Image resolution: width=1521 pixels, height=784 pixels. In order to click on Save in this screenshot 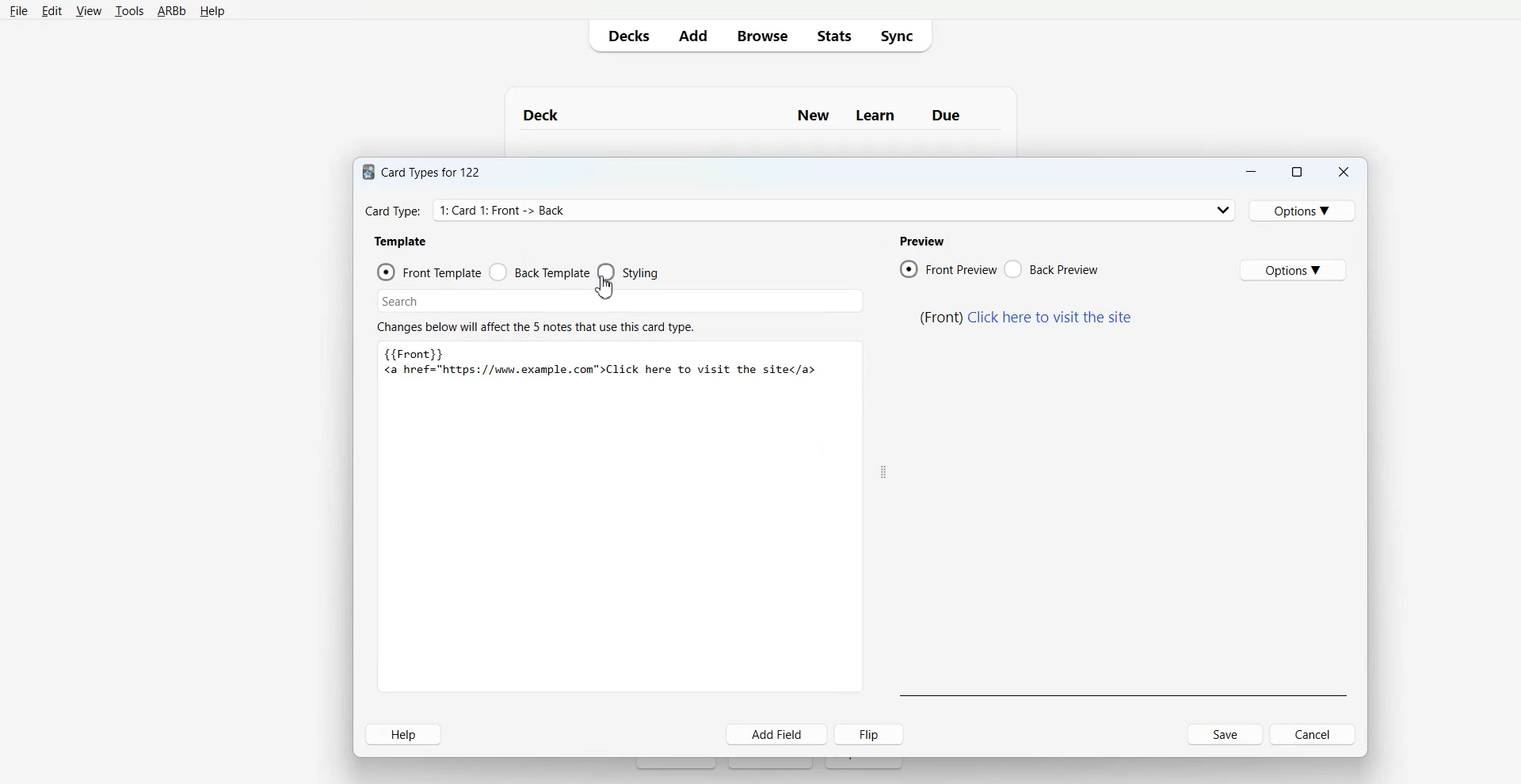, I will do `click(1226, 734)`.